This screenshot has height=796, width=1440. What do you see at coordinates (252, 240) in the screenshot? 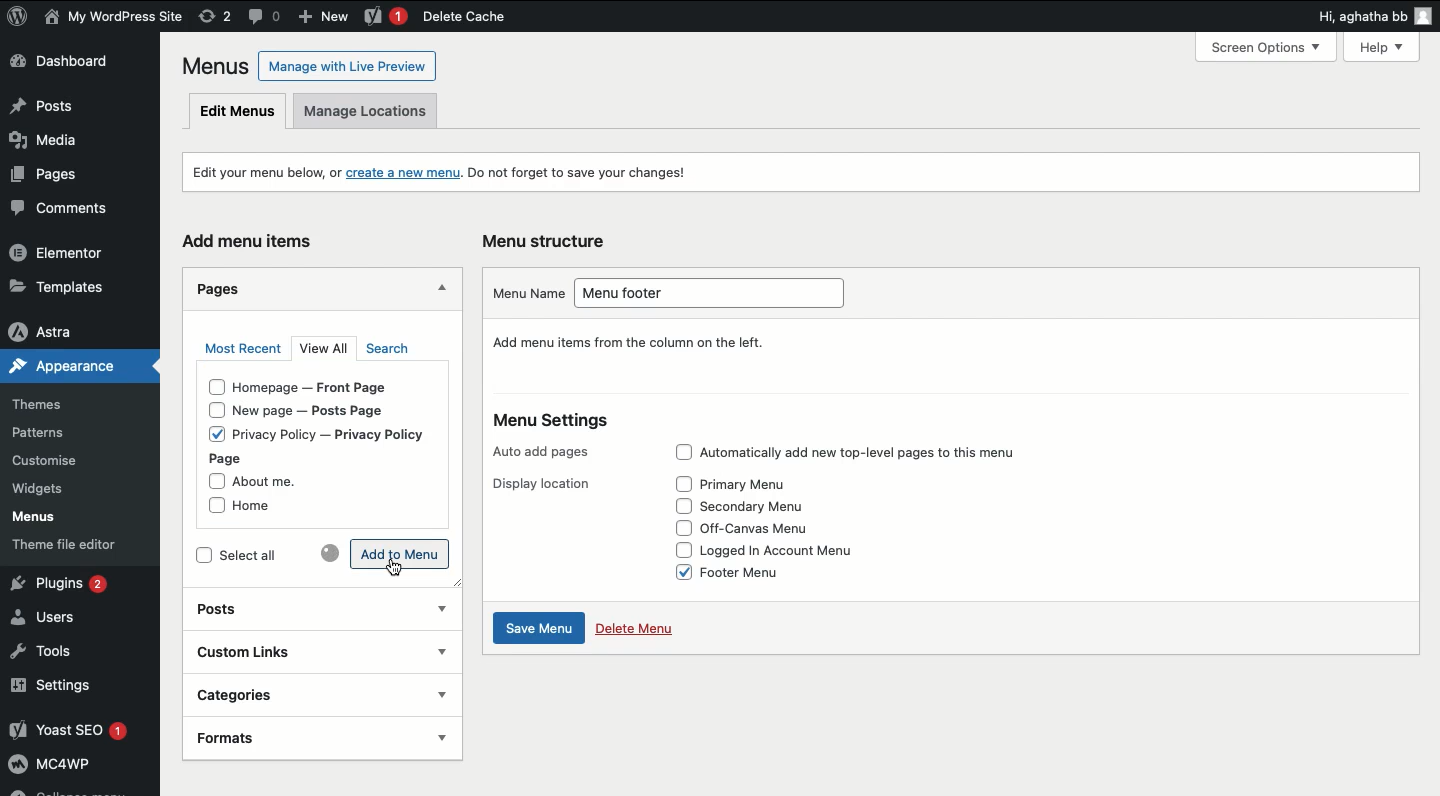
I see `Add menu items` at bounding box center [252, 240].